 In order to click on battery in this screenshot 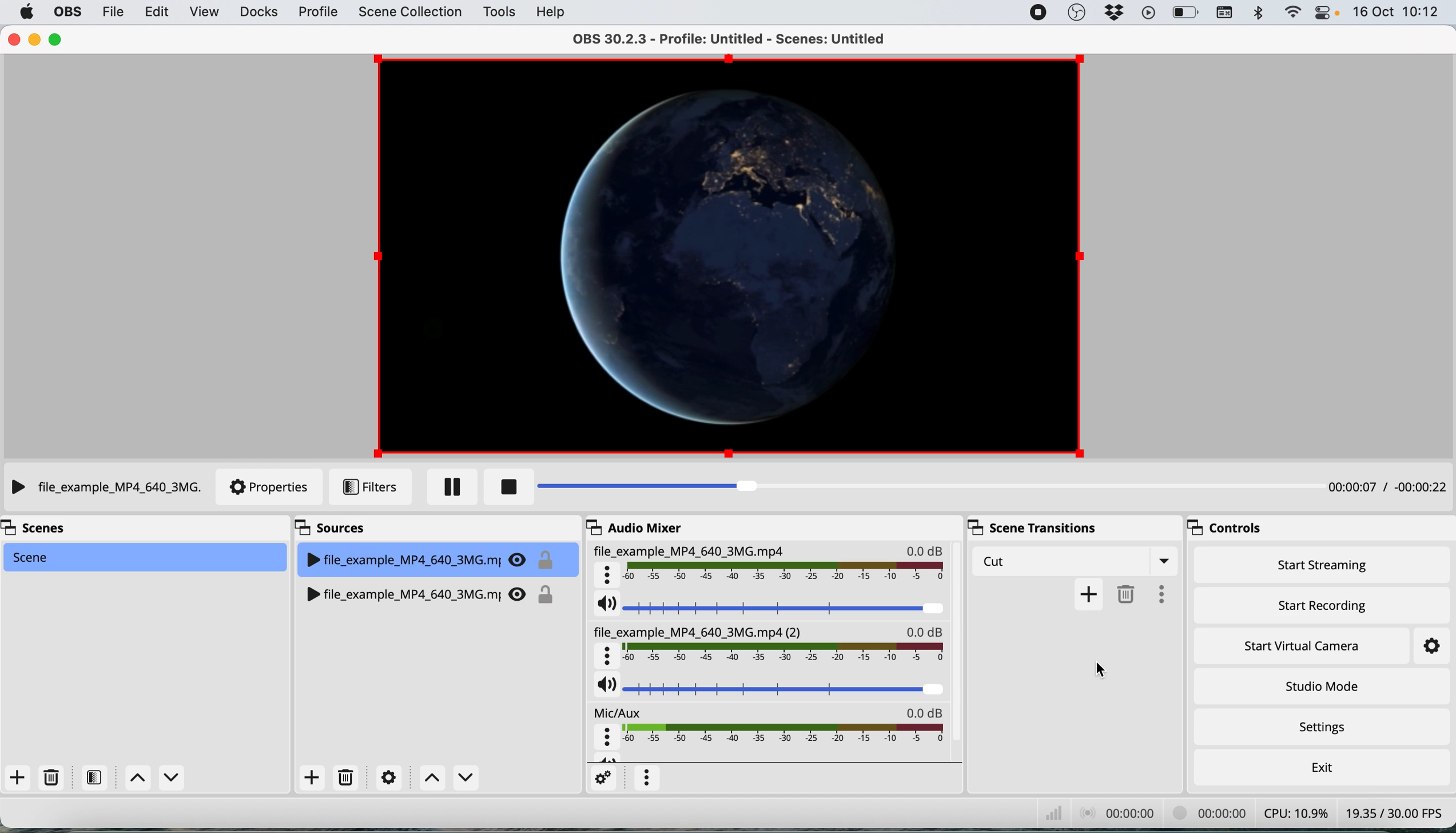, I will do `click(1187, 13)`.